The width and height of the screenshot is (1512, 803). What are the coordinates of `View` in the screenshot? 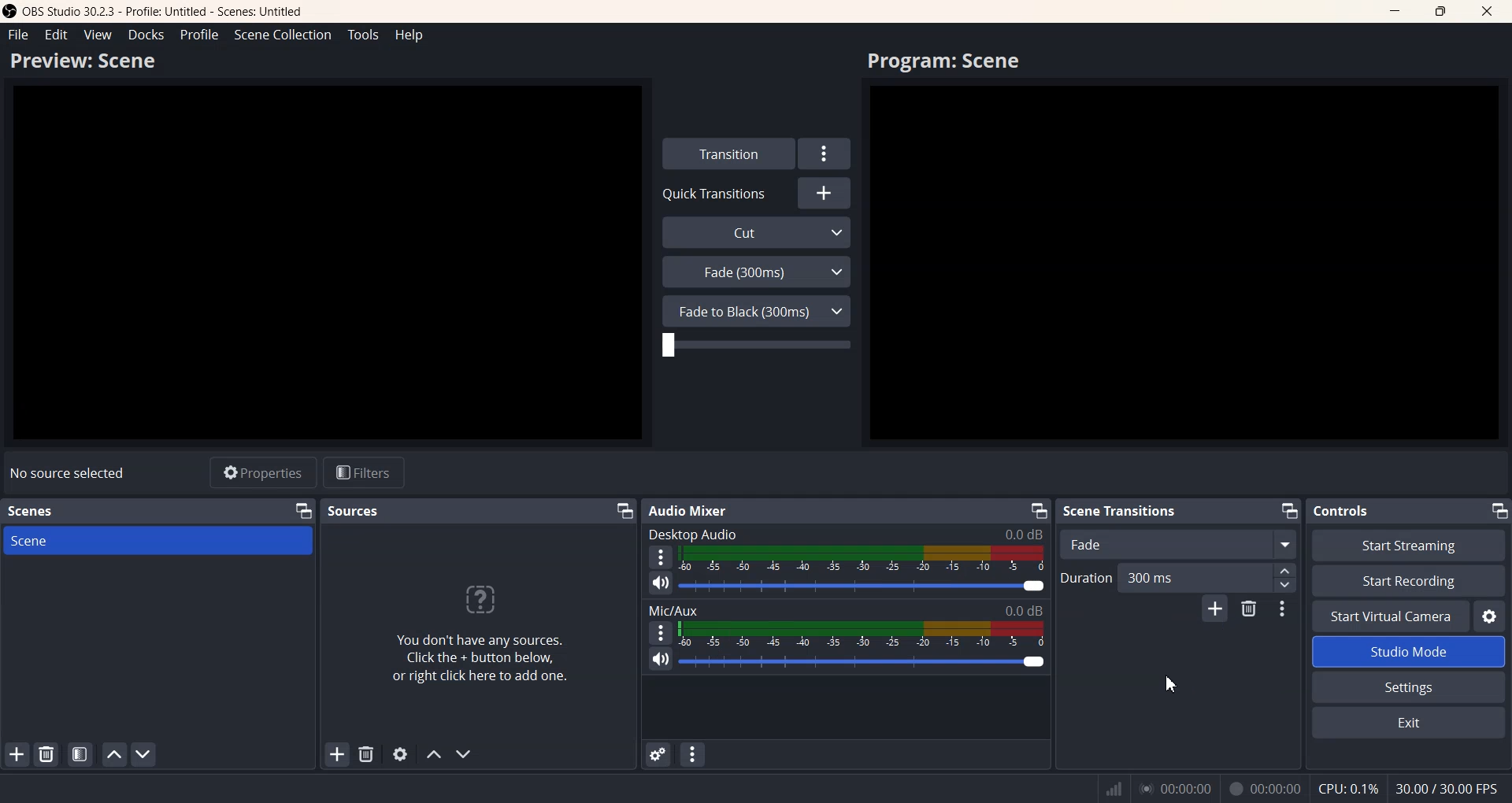 It's located at (97, 33).